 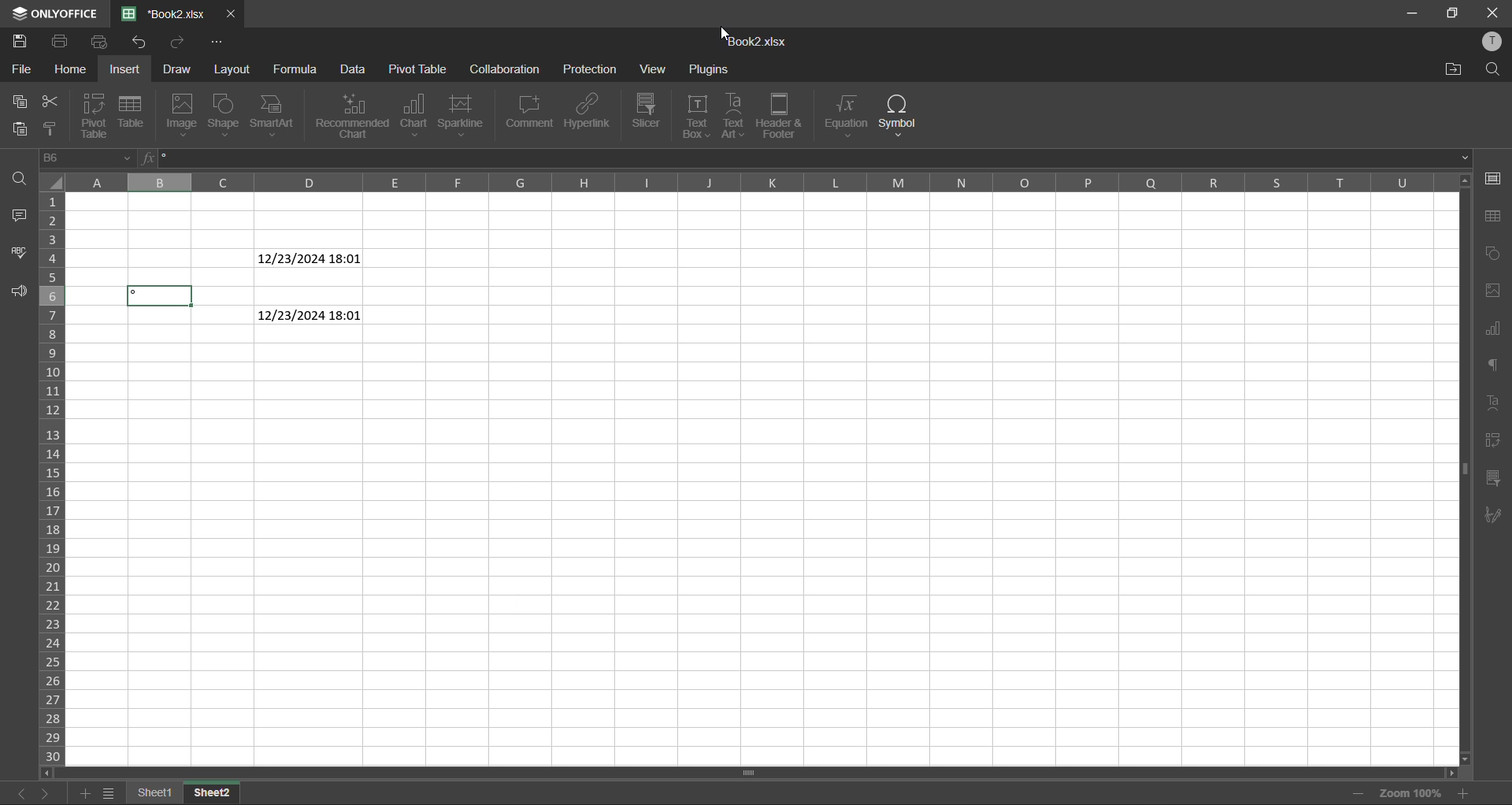 What do you see at coordinates (1492, 42) in the screenshot?
I see `profile` at bounding box center [1492, 42].